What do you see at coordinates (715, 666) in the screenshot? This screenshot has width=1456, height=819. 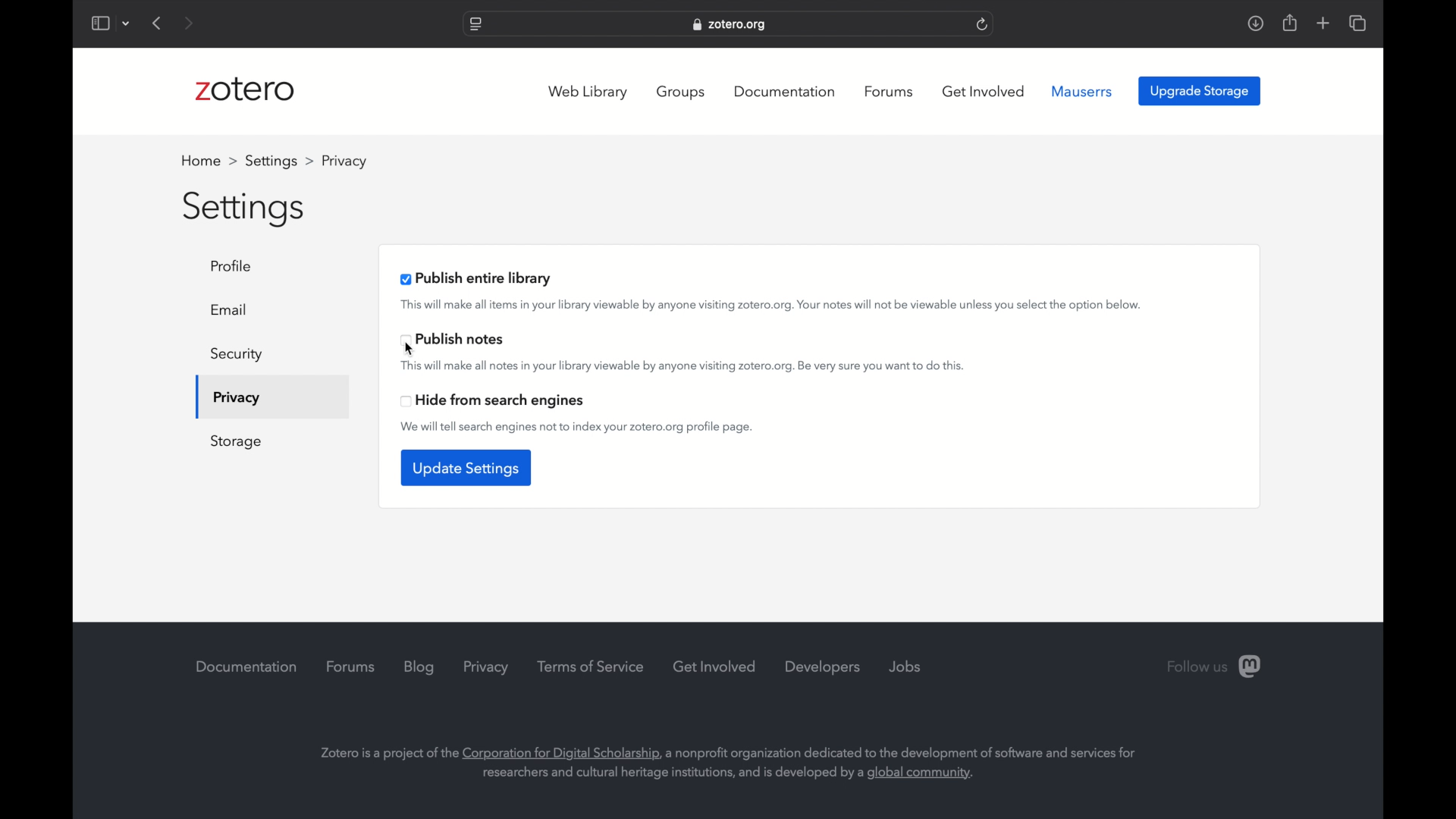 I see `get involved` at bounding box center [715, 666].